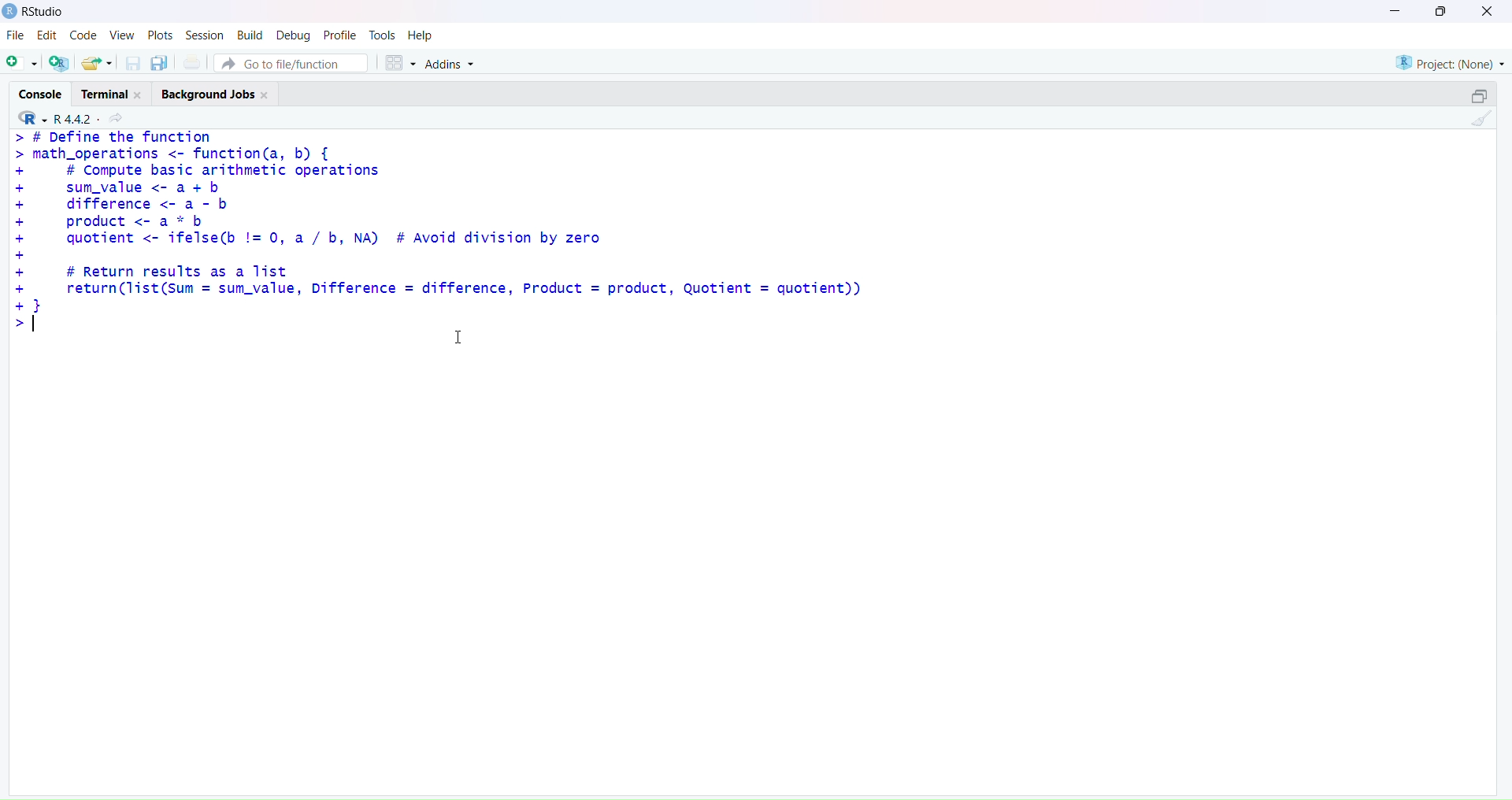 The height and width of the screenshot is (800, 1512). What do you see at coordinates (81, 37) in the screenshot?
I see `Code` at bounding box center [81, 37].